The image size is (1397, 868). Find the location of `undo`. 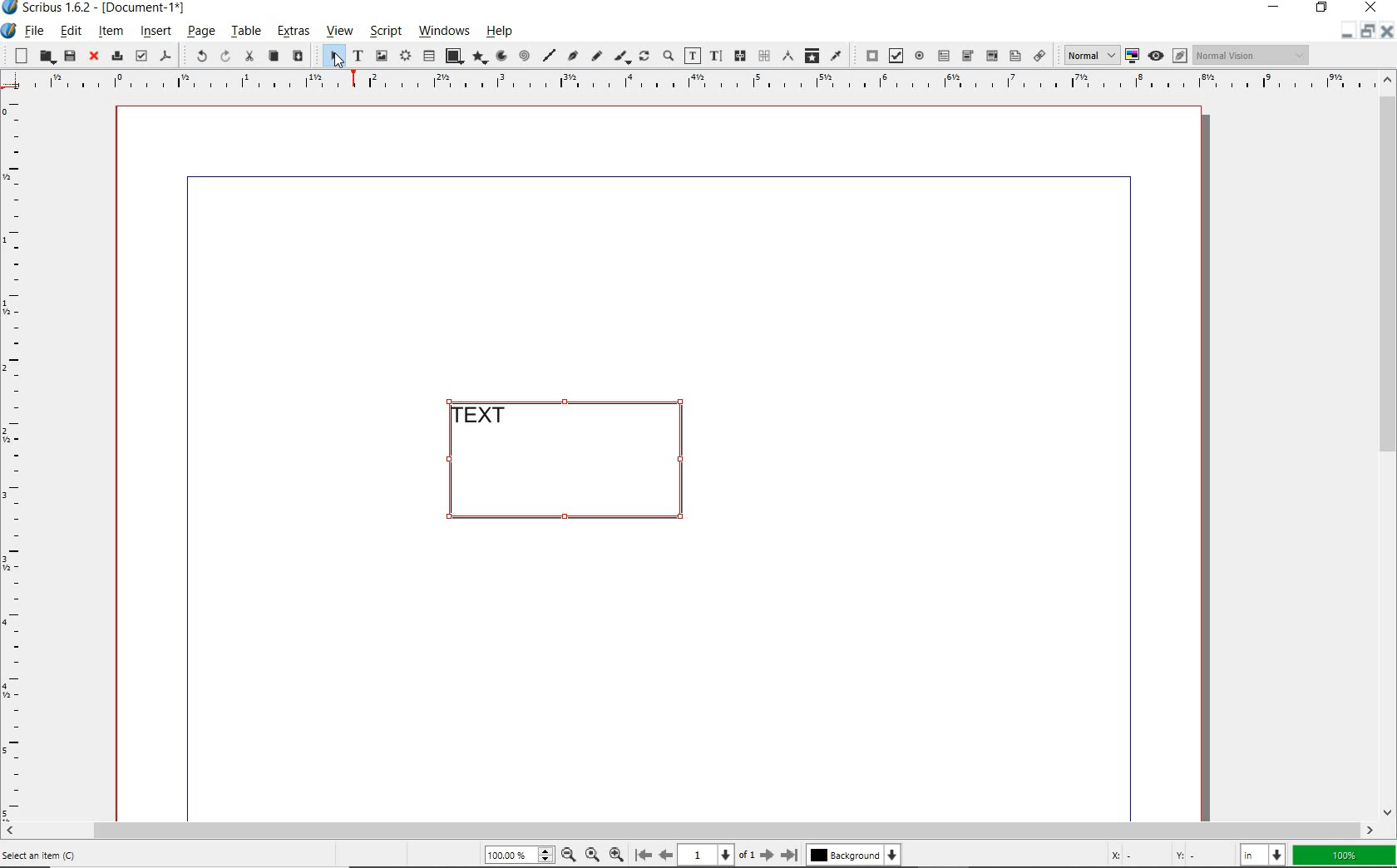

undo is located at coordinates (196, 55).